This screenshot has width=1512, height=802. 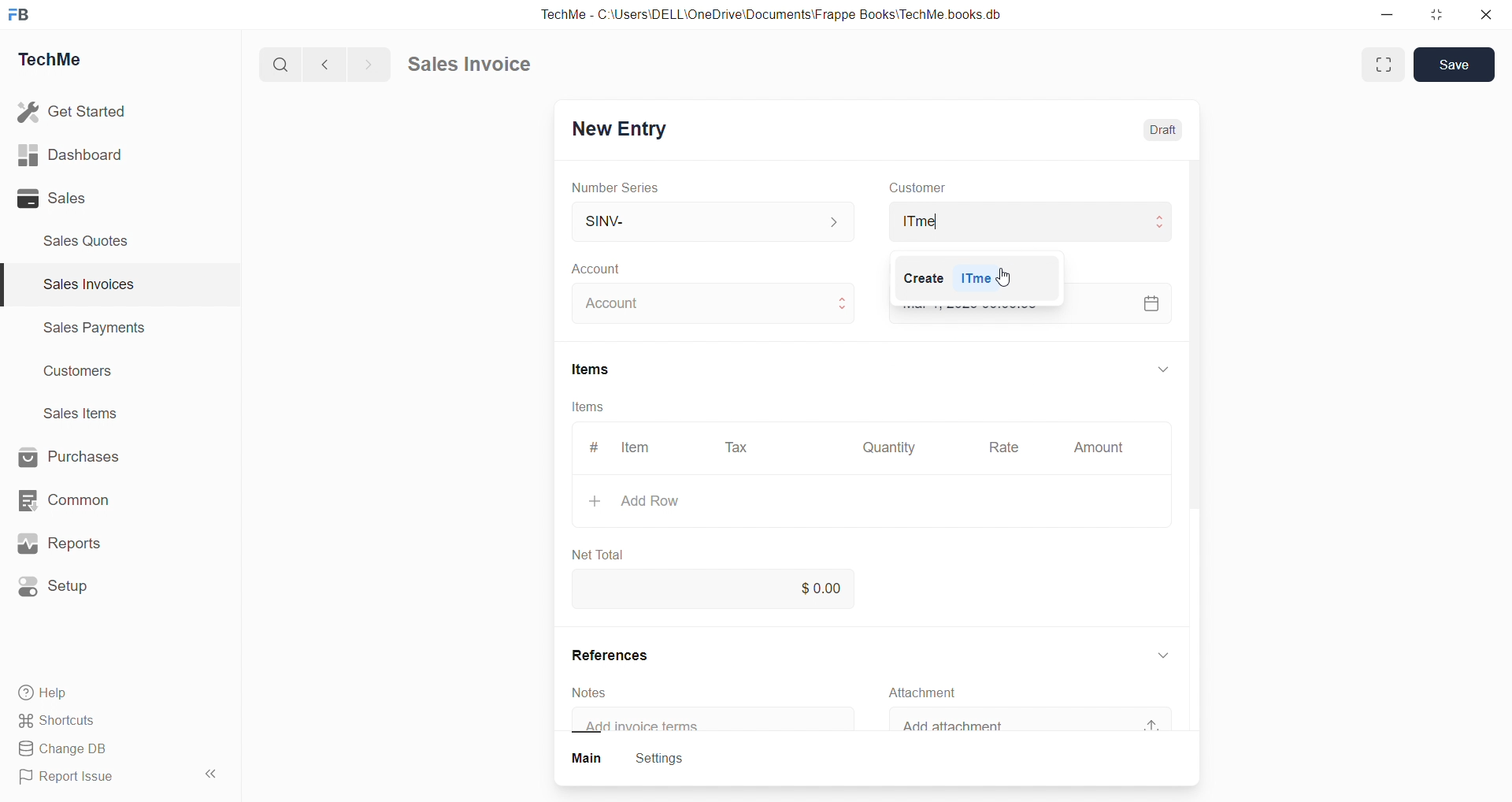 I want to click on Quantity, so click(x=894, y=446).